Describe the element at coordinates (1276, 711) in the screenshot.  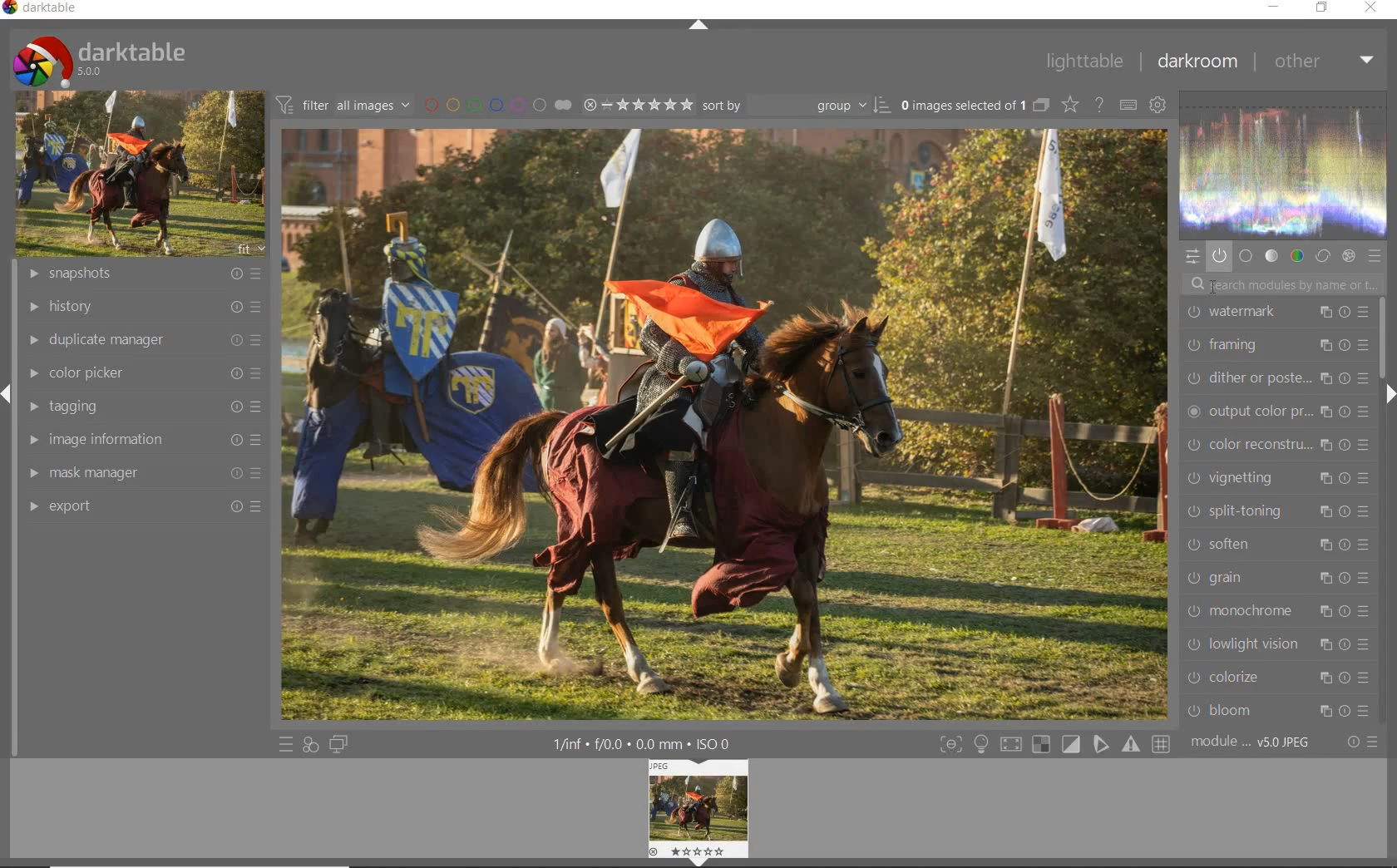
I see `bloom` at that location.